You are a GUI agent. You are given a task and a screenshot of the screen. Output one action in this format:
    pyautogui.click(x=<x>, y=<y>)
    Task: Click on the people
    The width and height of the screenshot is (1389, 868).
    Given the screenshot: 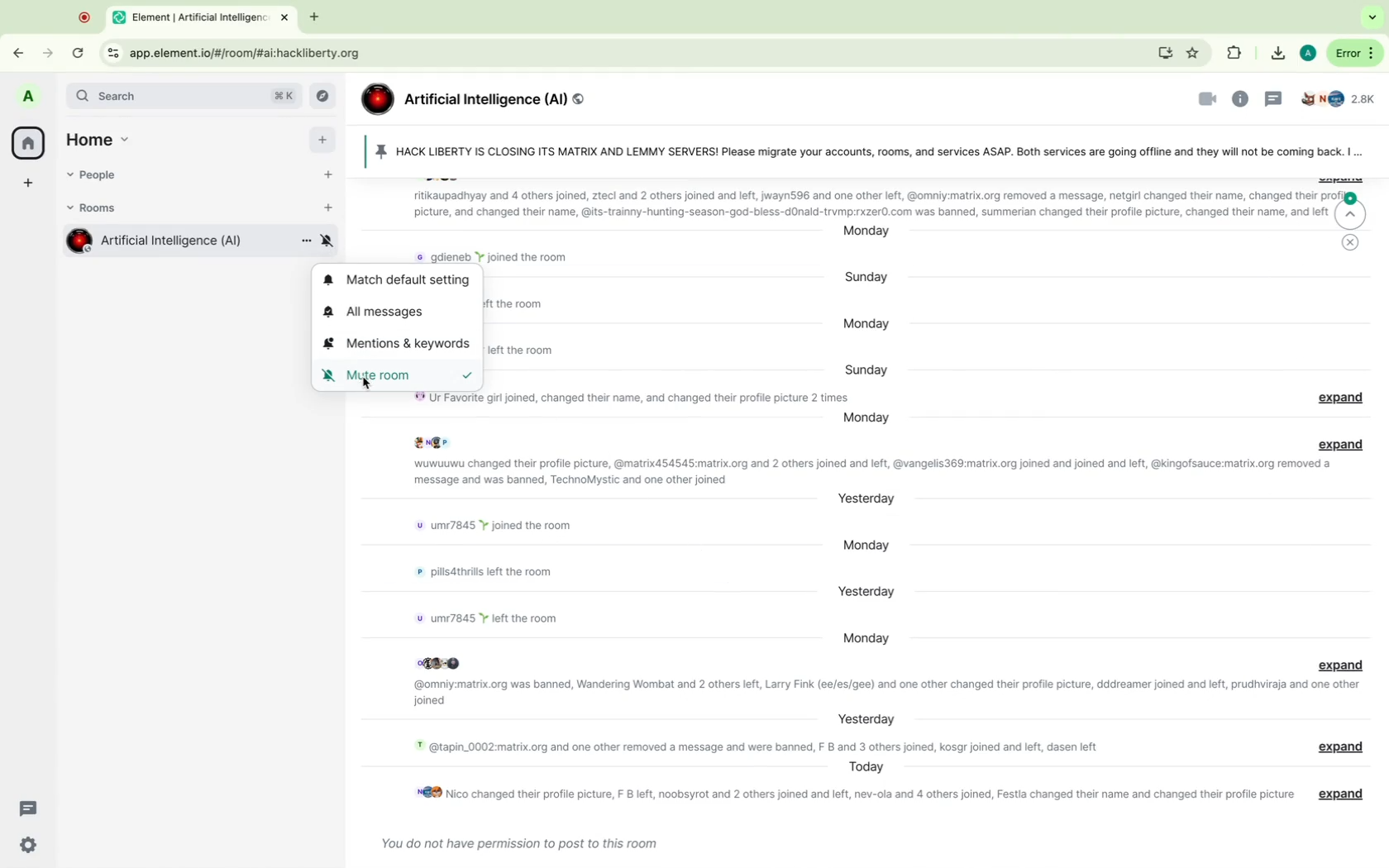 What is the action you would take?
    pyautogui.click(x=1342, y=98)
    